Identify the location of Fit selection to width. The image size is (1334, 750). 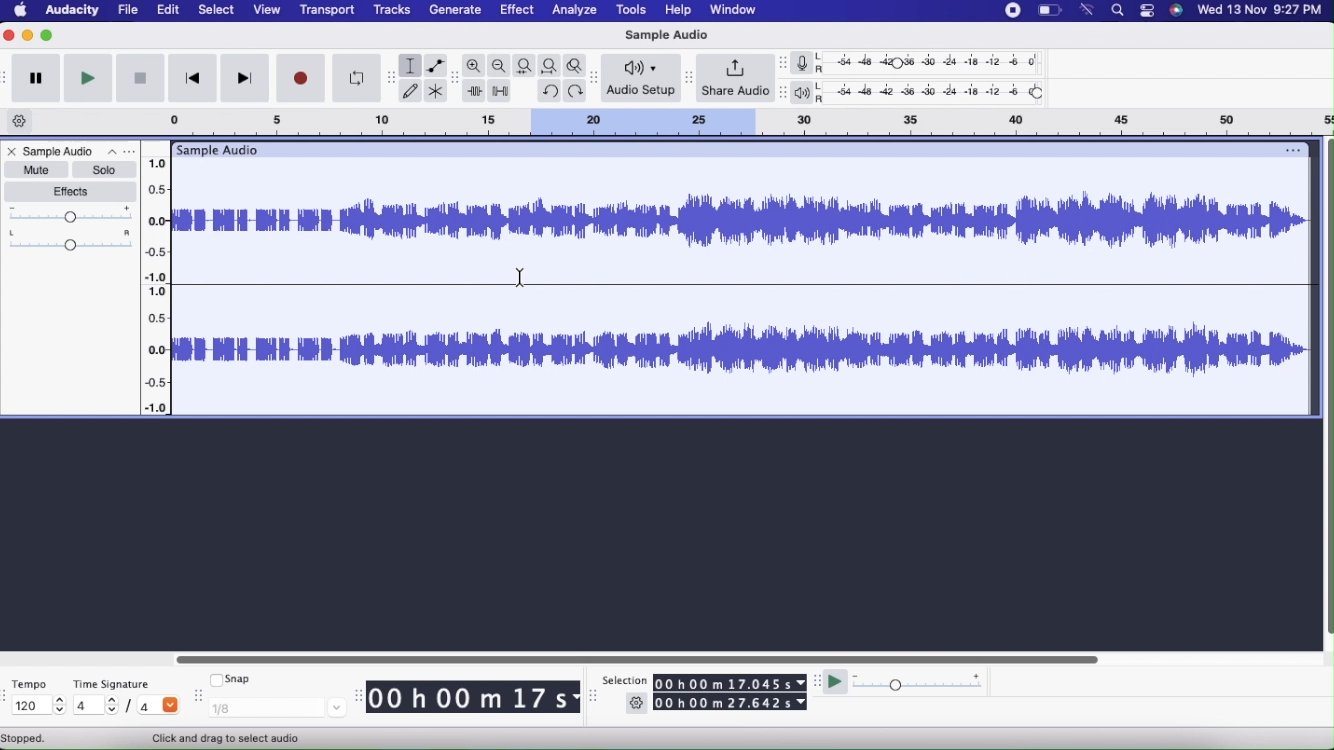
(525, 66).